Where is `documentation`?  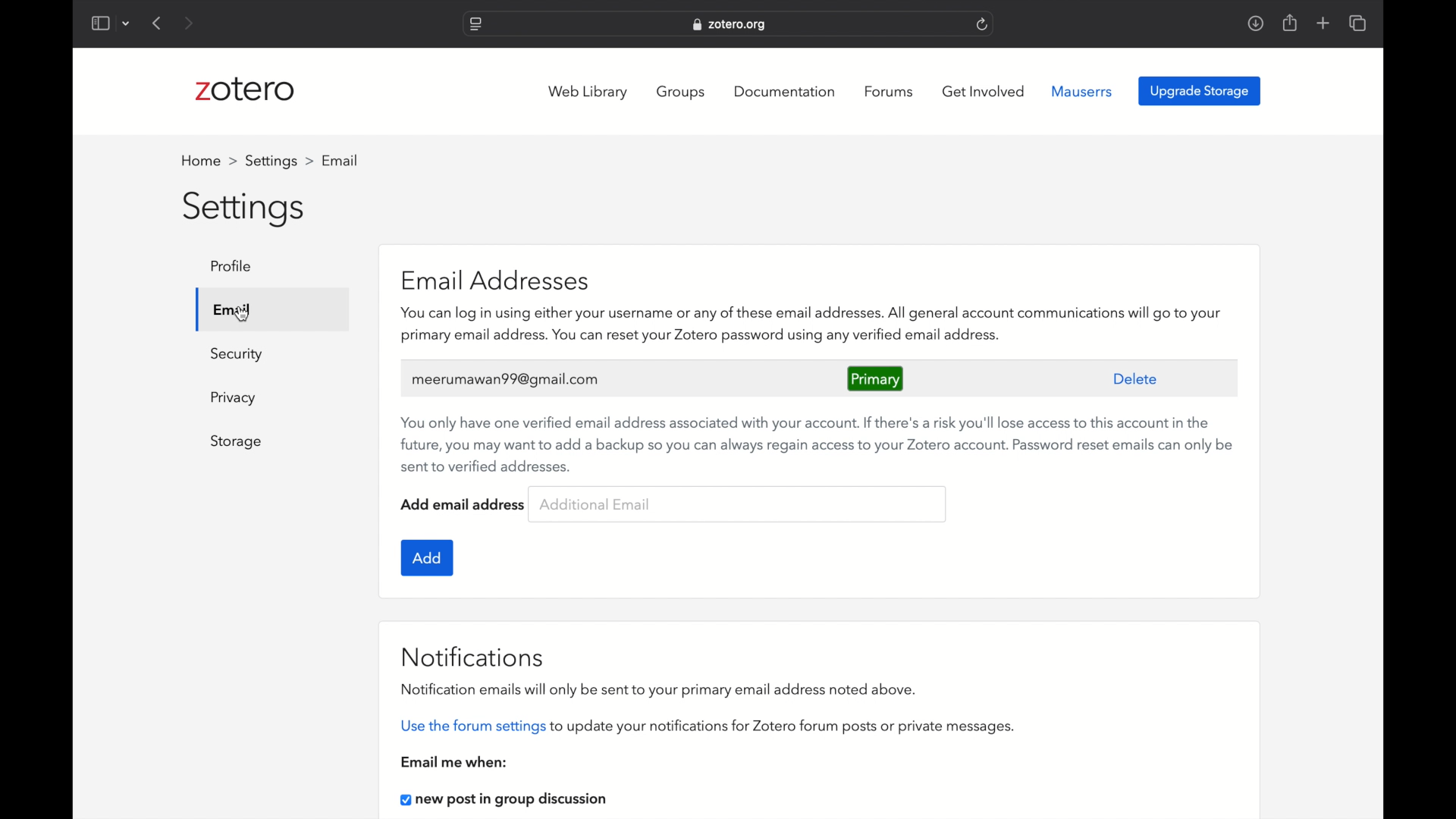 documentation is located at coordinates (783, 92).